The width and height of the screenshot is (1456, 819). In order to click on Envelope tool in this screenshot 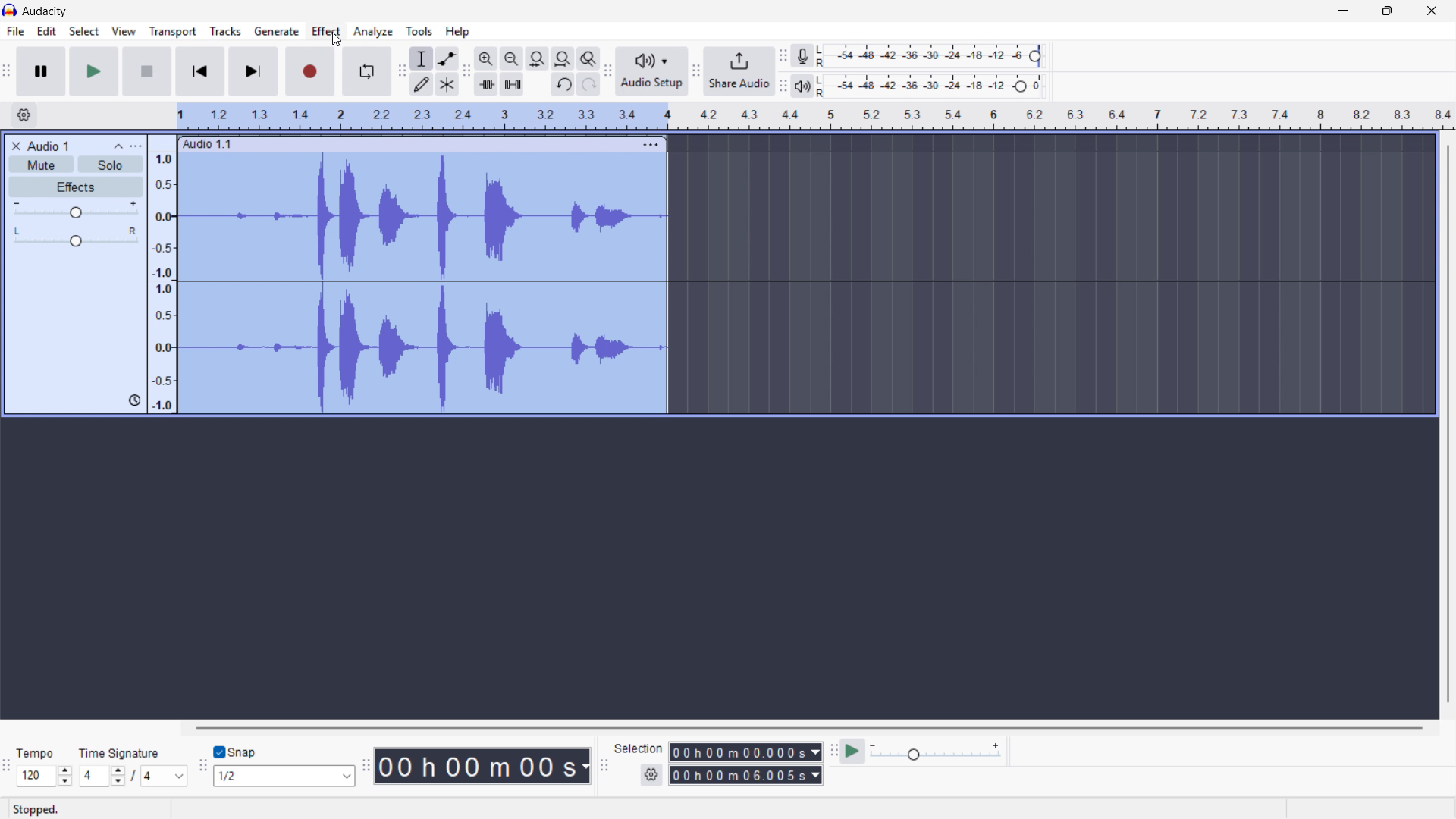, I will do `click(447, 58)`.